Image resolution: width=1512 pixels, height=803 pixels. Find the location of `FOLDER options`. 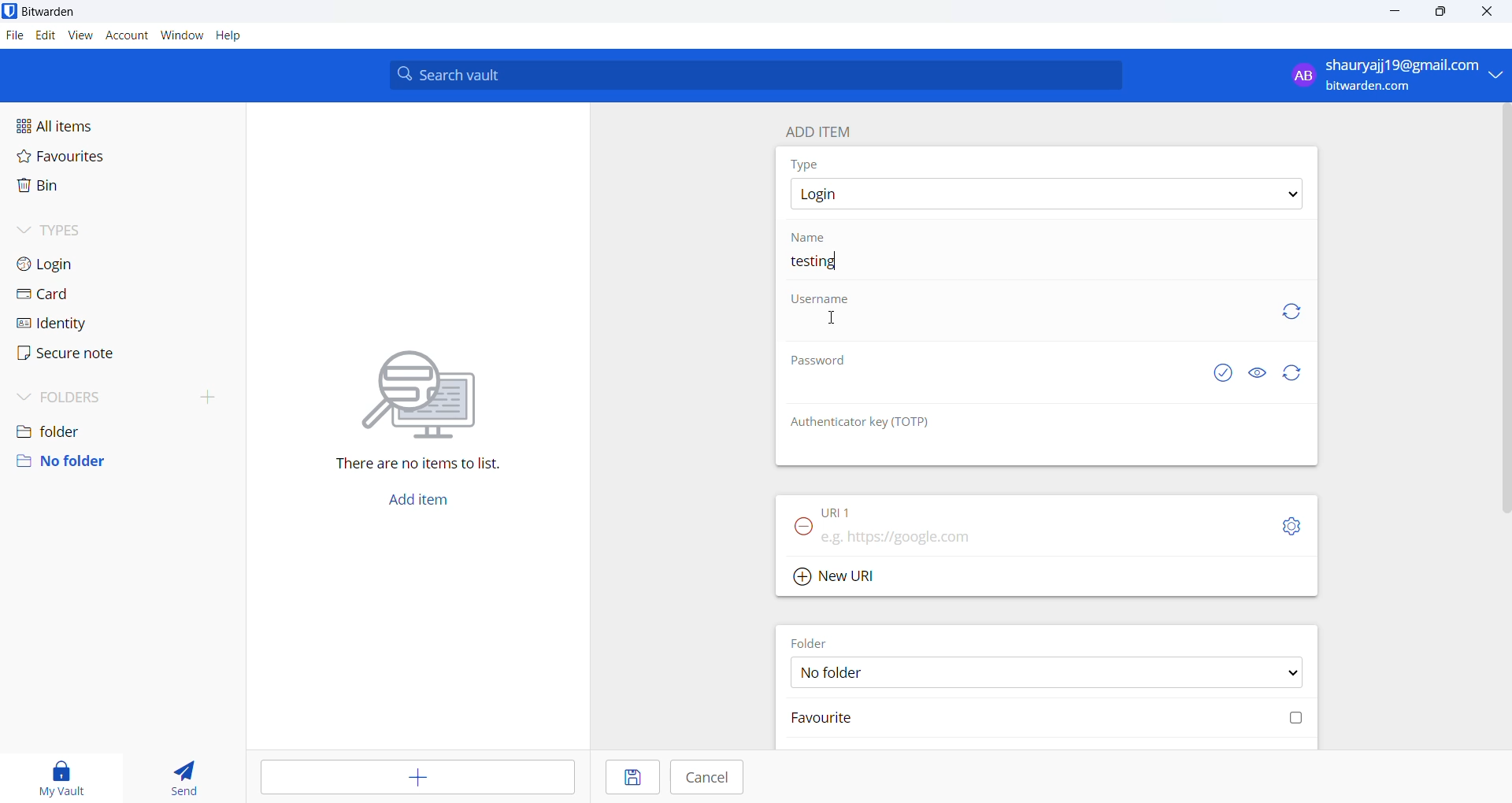

FOLDER options is located at coordinates (1048, 673).